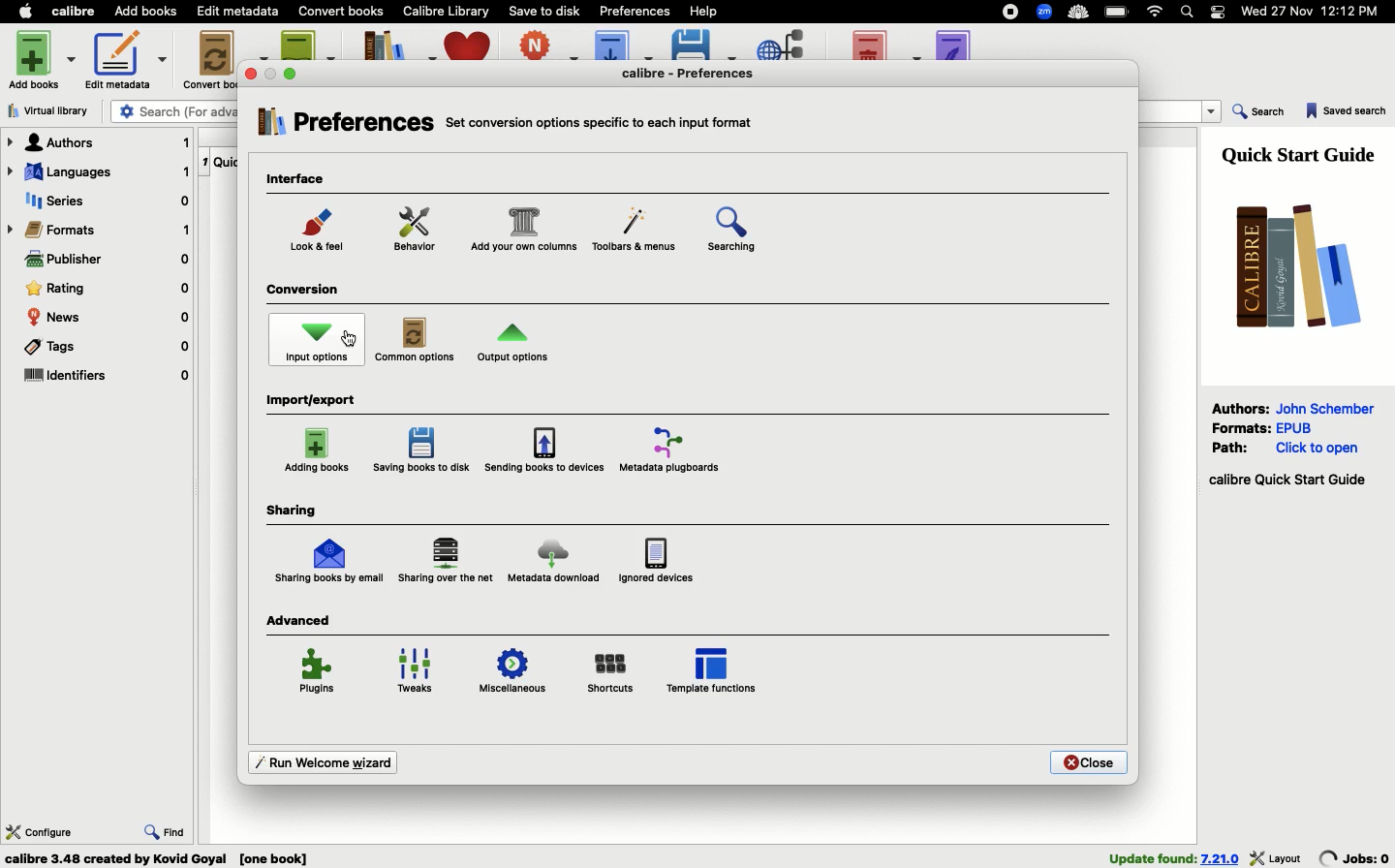 The width and height of the screenshot is (1395, 868). What do you see at coordinates (1118, 13) in the screenshot?
I see `Charge` at bounding box center [1118, 13].